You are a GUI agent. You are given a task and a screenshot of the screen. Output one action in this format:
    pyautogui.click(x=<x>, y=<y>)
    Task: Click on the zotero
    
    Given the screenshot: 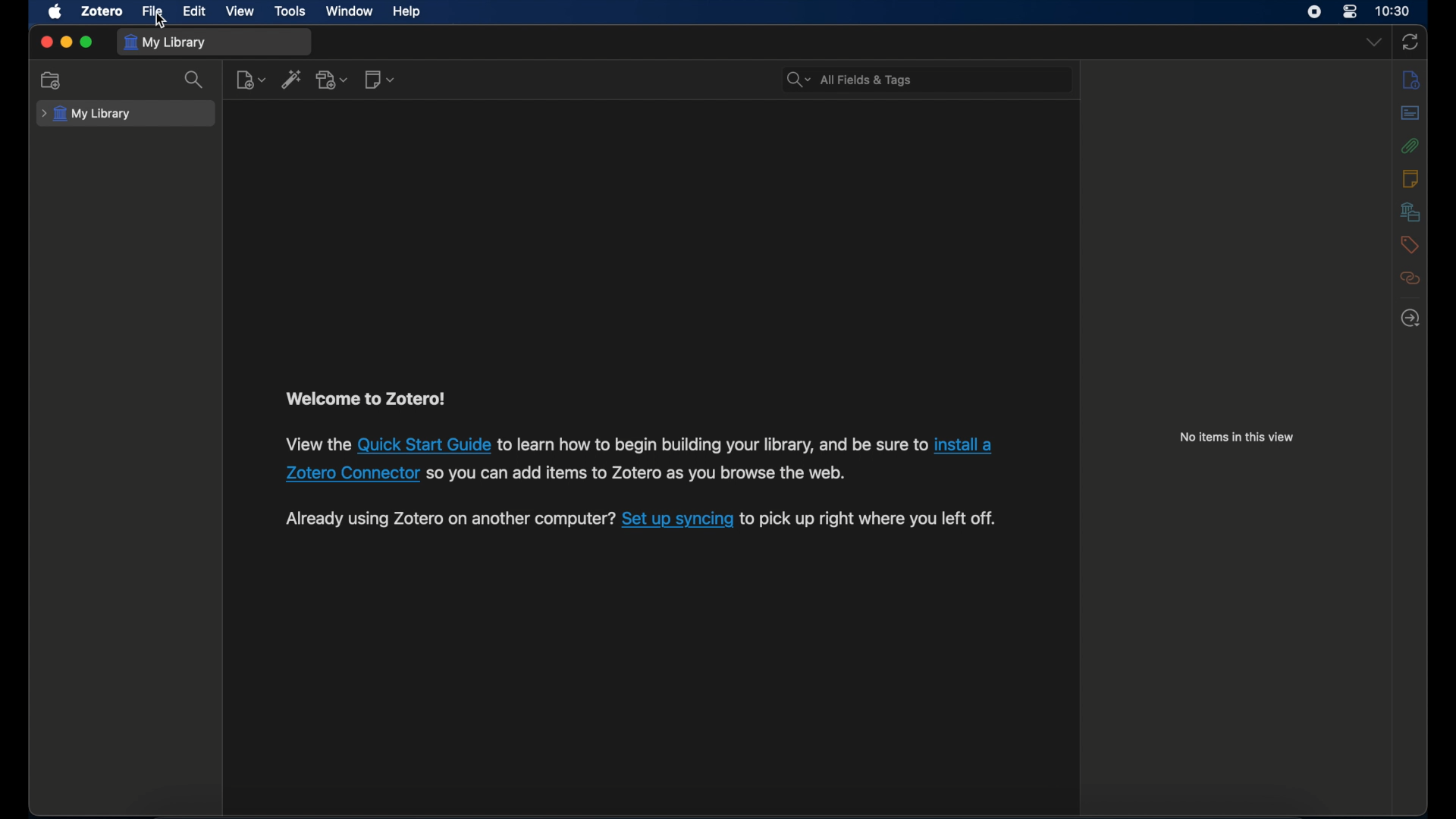 What is the action you would take?
    pyautogui.click(x=102, y=11)
    